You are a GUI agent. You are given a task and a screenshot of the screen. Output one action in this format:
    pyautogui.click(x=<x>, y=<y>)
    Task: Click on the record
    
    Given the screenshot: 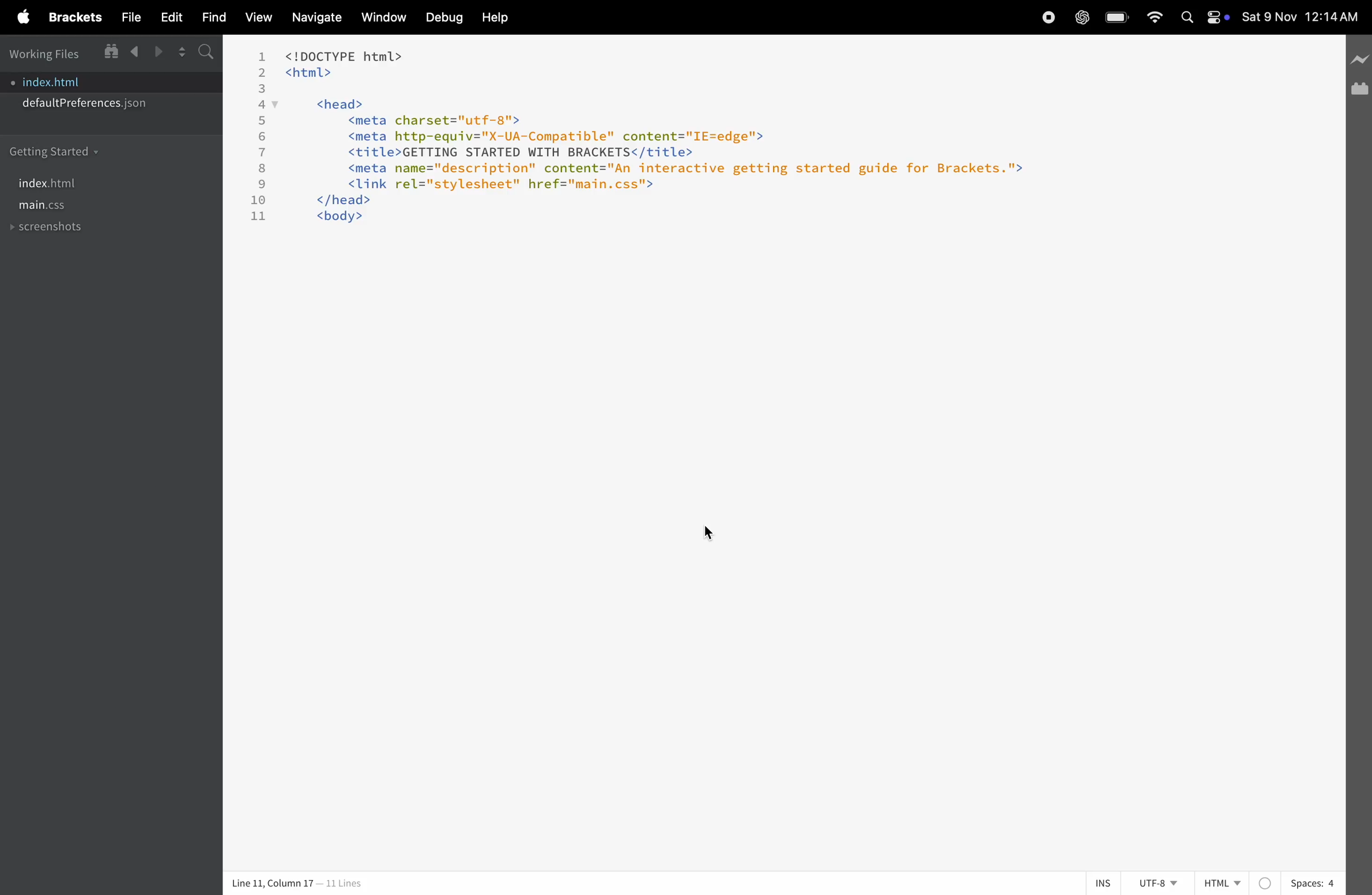 What is the action you would take?
    pyautogui.click(x=1045, y=17)
    